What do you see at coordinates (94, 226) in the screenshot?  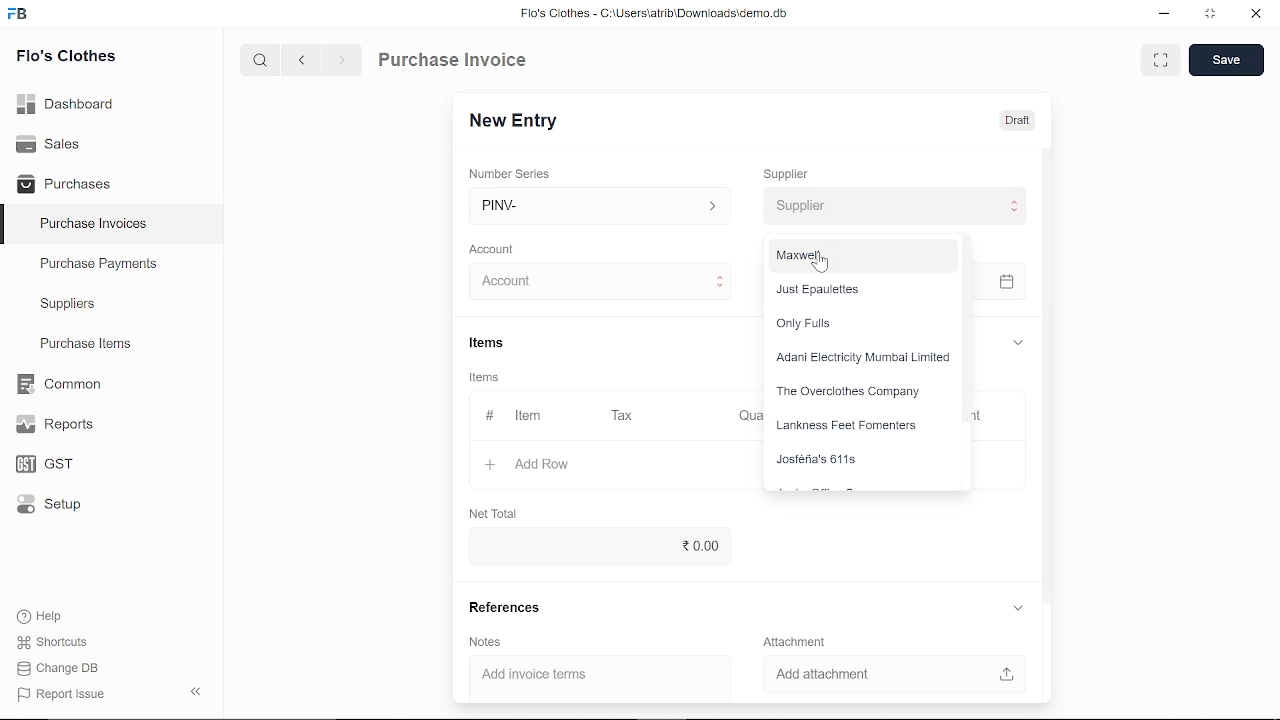 I see `Purchase Invoices` at bounding box center [94, 226].